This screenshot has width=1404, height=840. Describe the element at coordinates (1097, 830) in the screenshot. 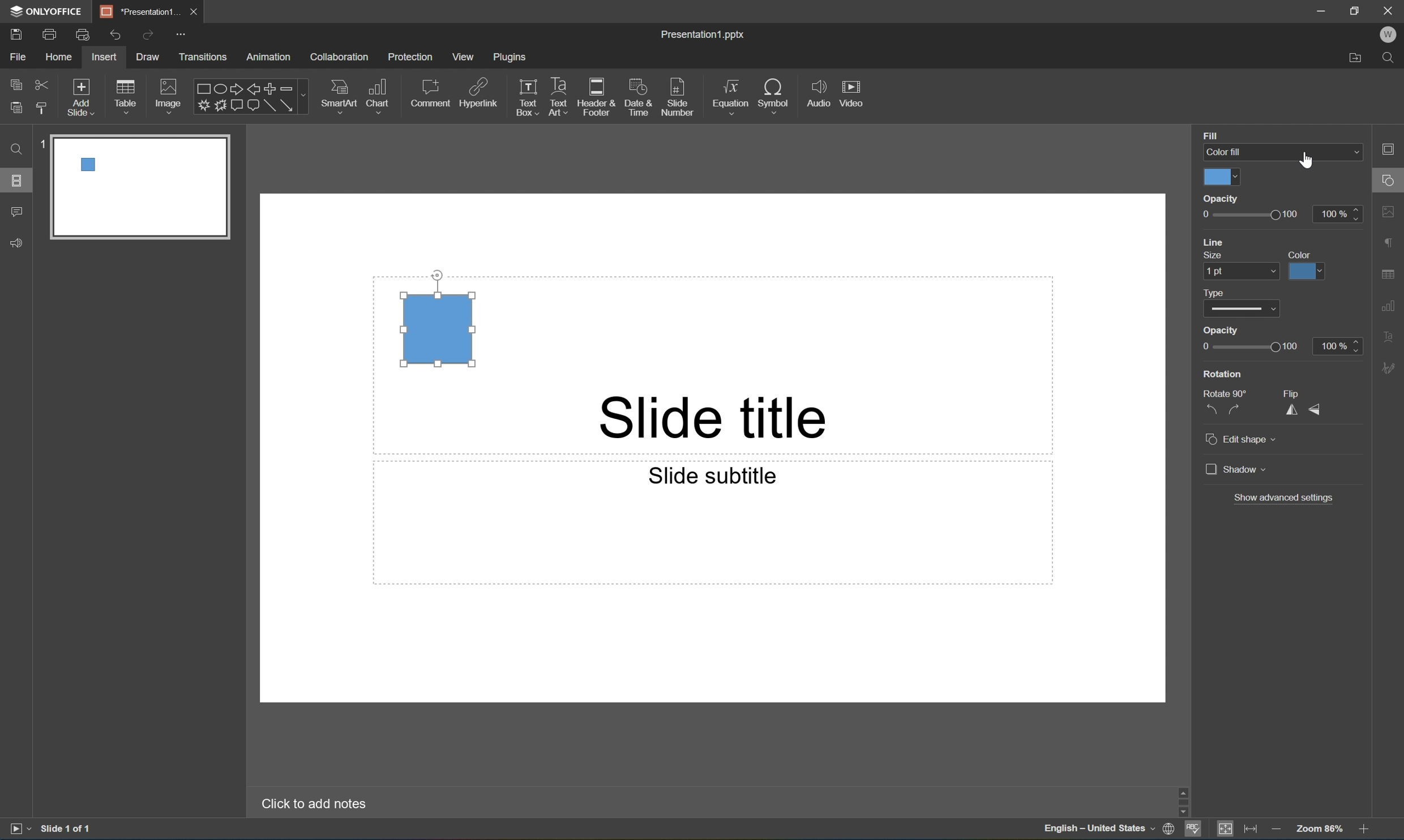

I see `English-United States` at that location.